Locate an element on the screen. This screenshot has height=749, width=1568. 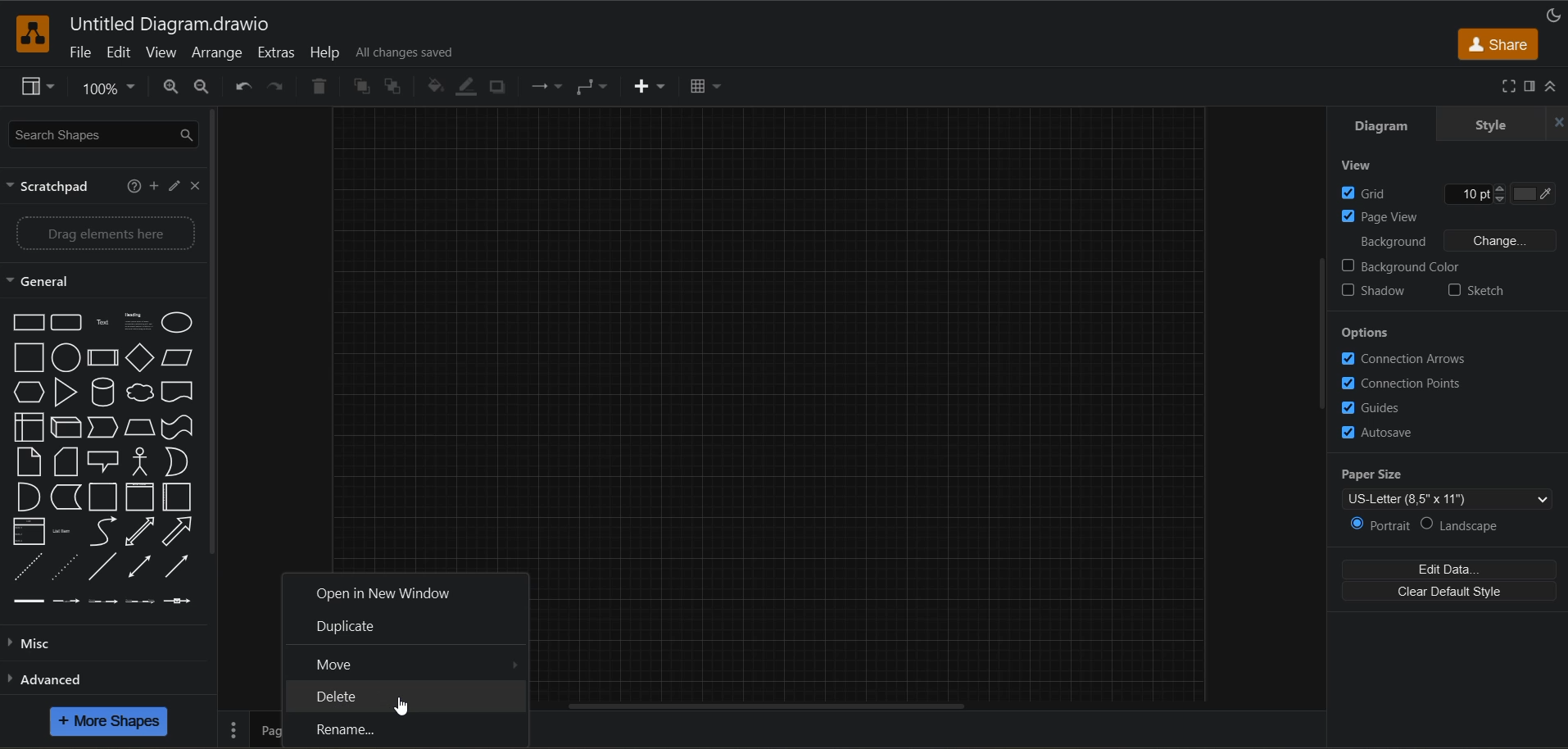
background color is located at coordinates (1403, 266).